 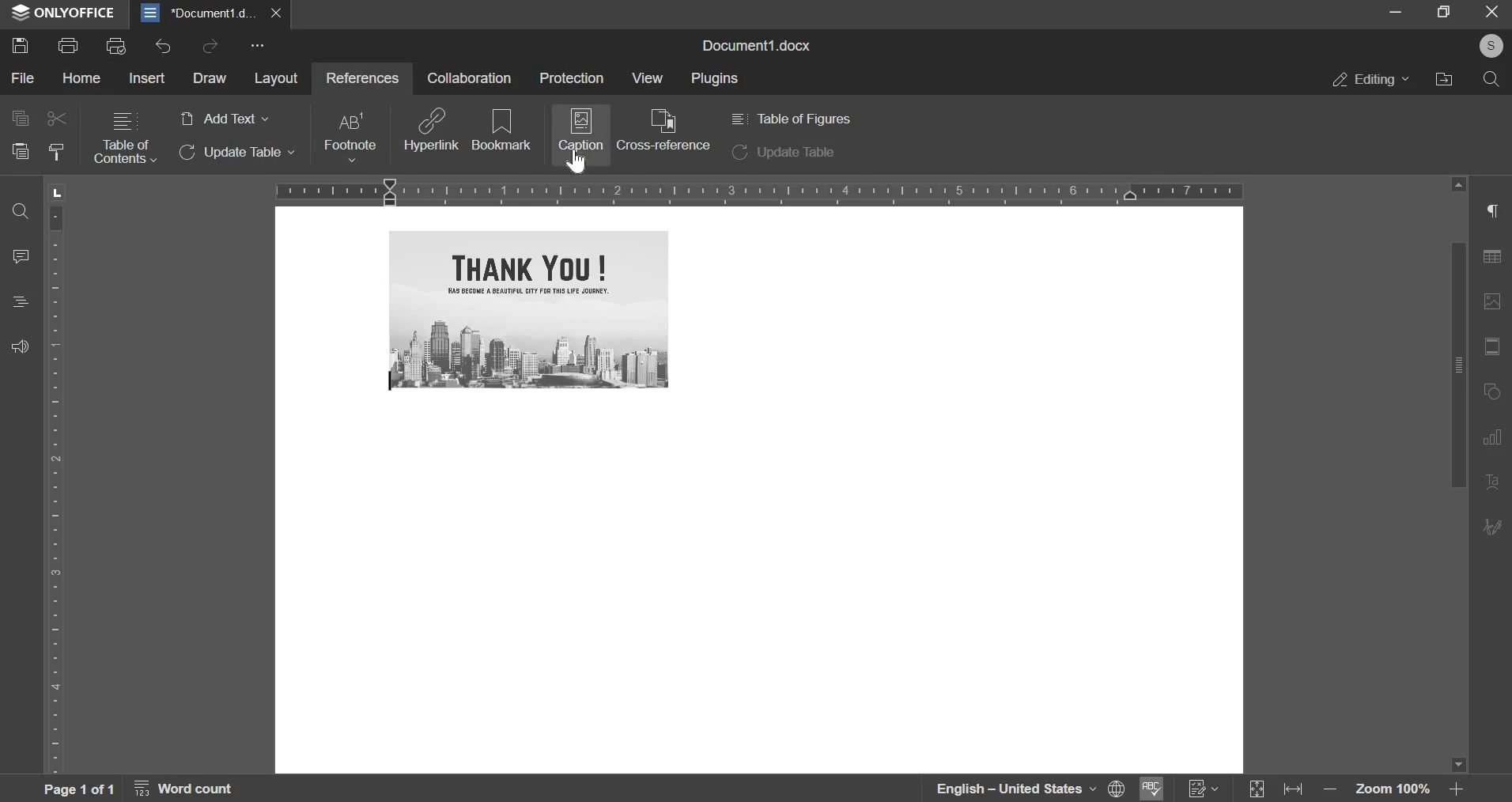 I want to click on minimize, so click(x=1396, y=13).